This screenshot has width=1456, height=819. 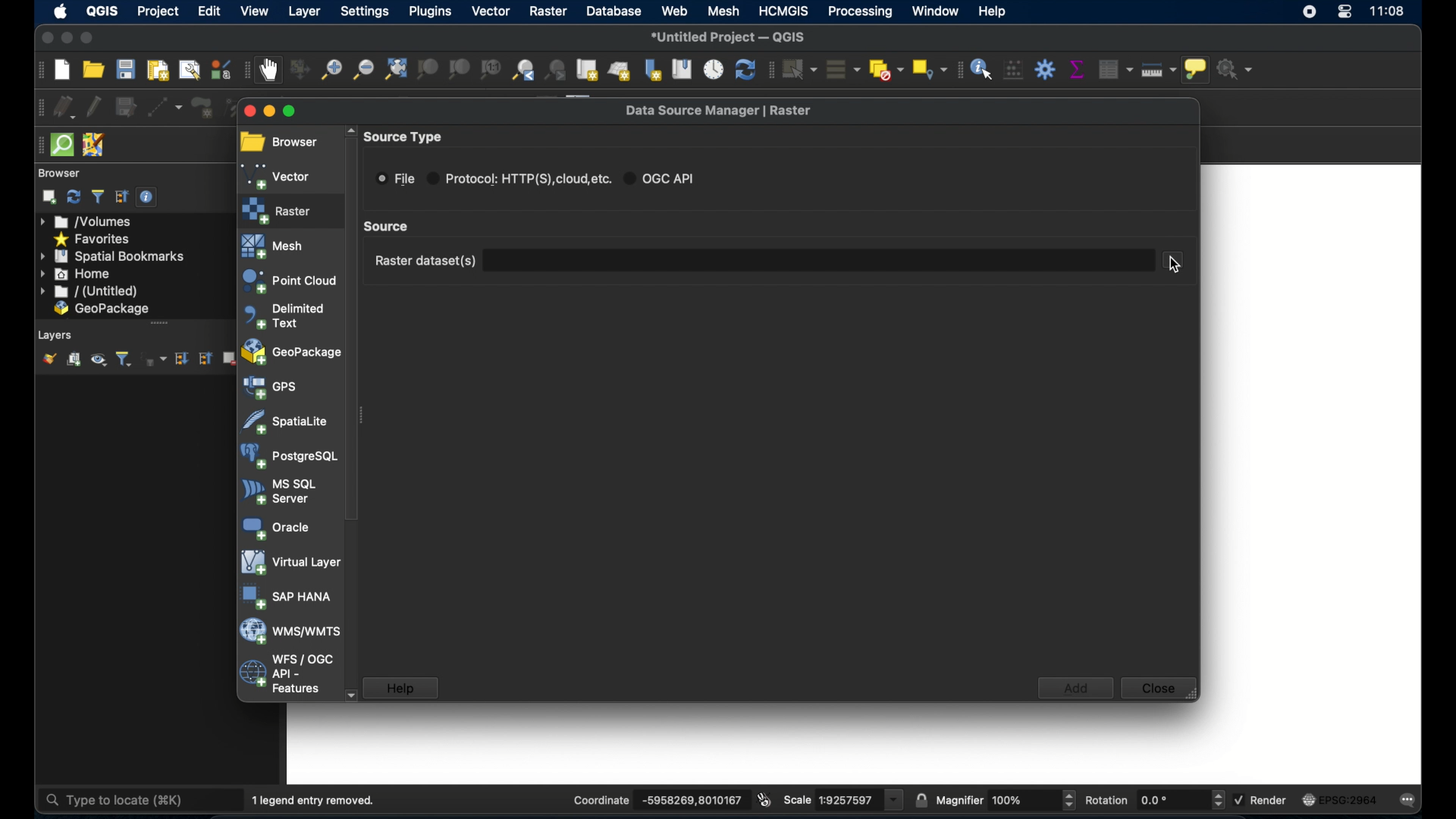 I want to click on ms sql server, so click(x=284, y=491).